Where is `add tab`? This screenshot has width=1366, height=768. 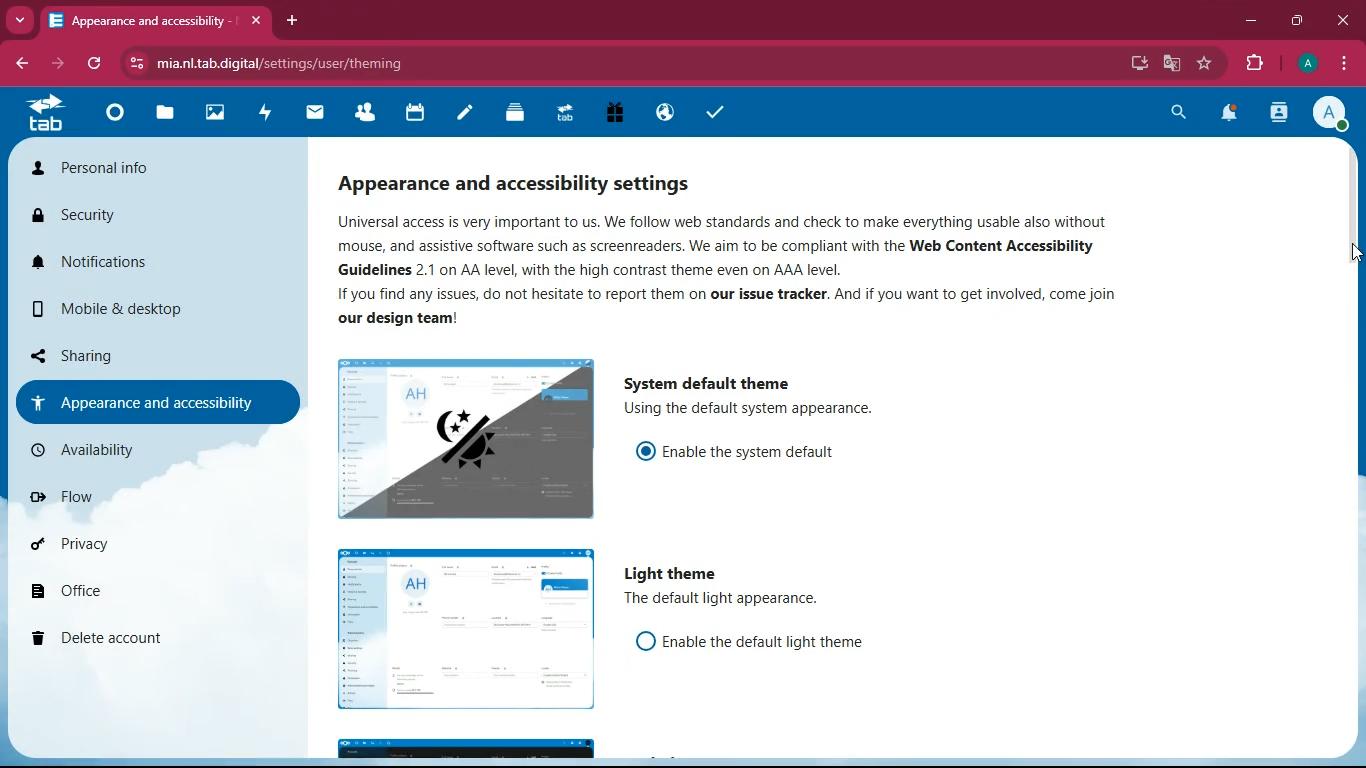 add tab is located at coordinates (292, 20).